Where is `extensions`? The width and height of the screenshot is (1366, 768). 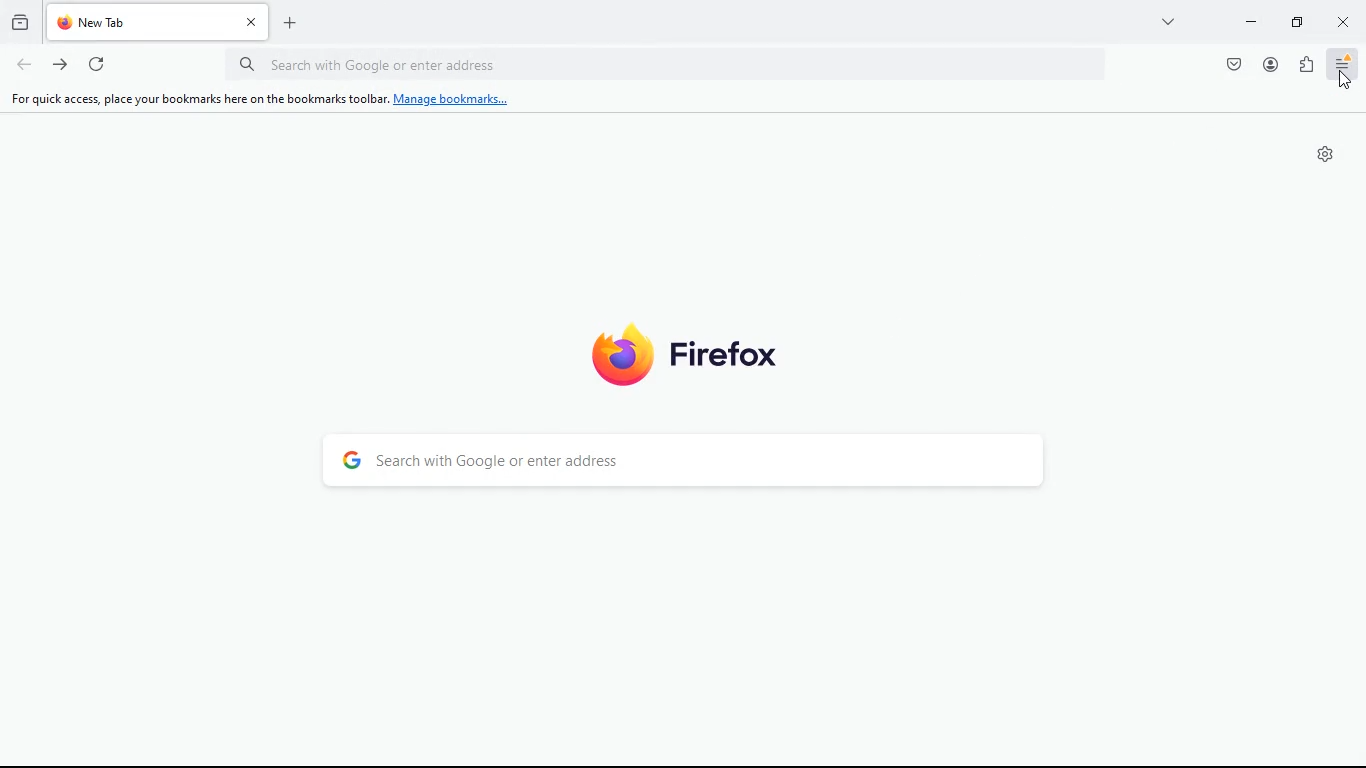
extensions is located at coordinates (1307, 65).